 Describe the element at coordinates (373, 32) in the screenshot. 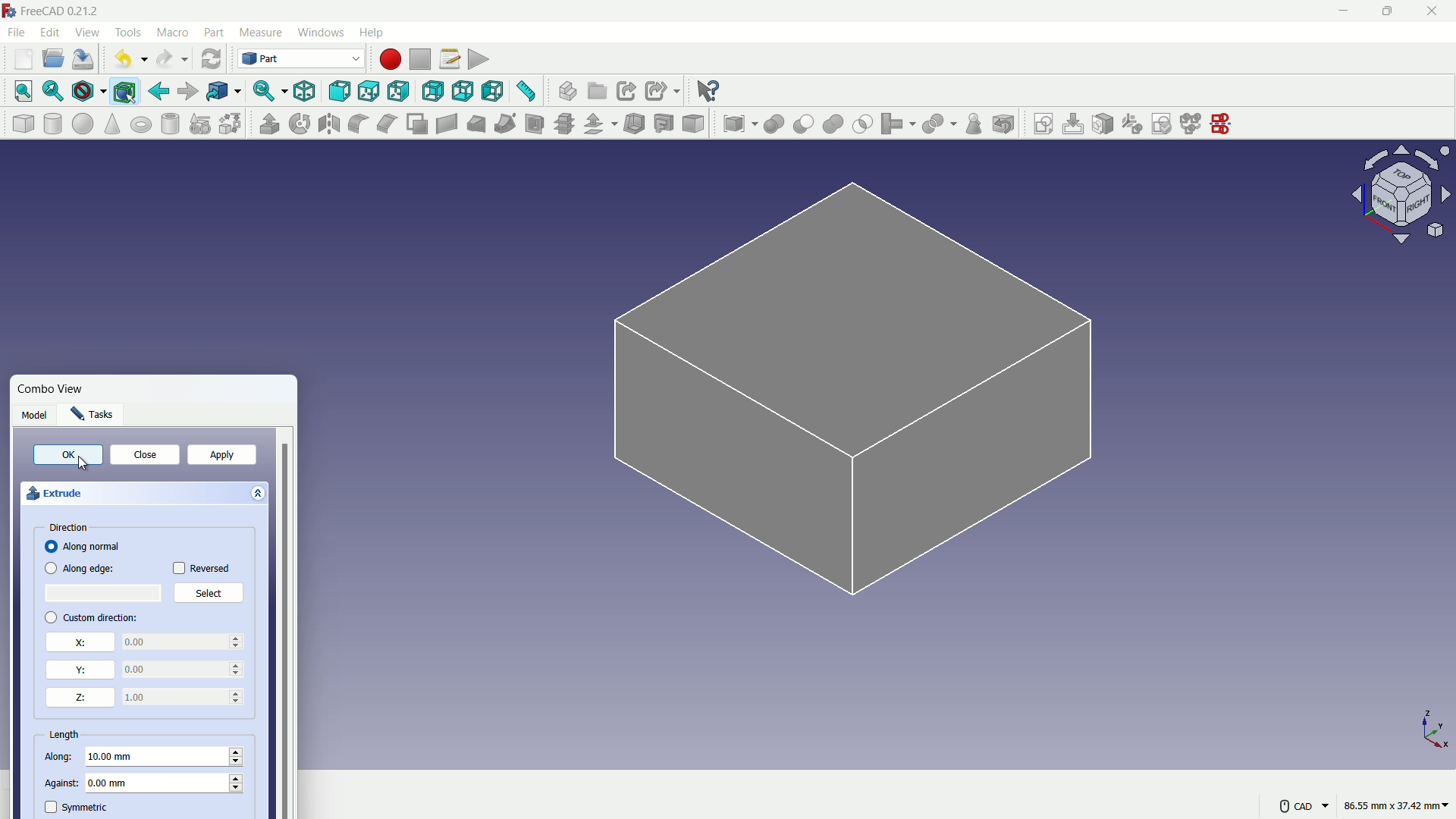

I see `help` at that location.